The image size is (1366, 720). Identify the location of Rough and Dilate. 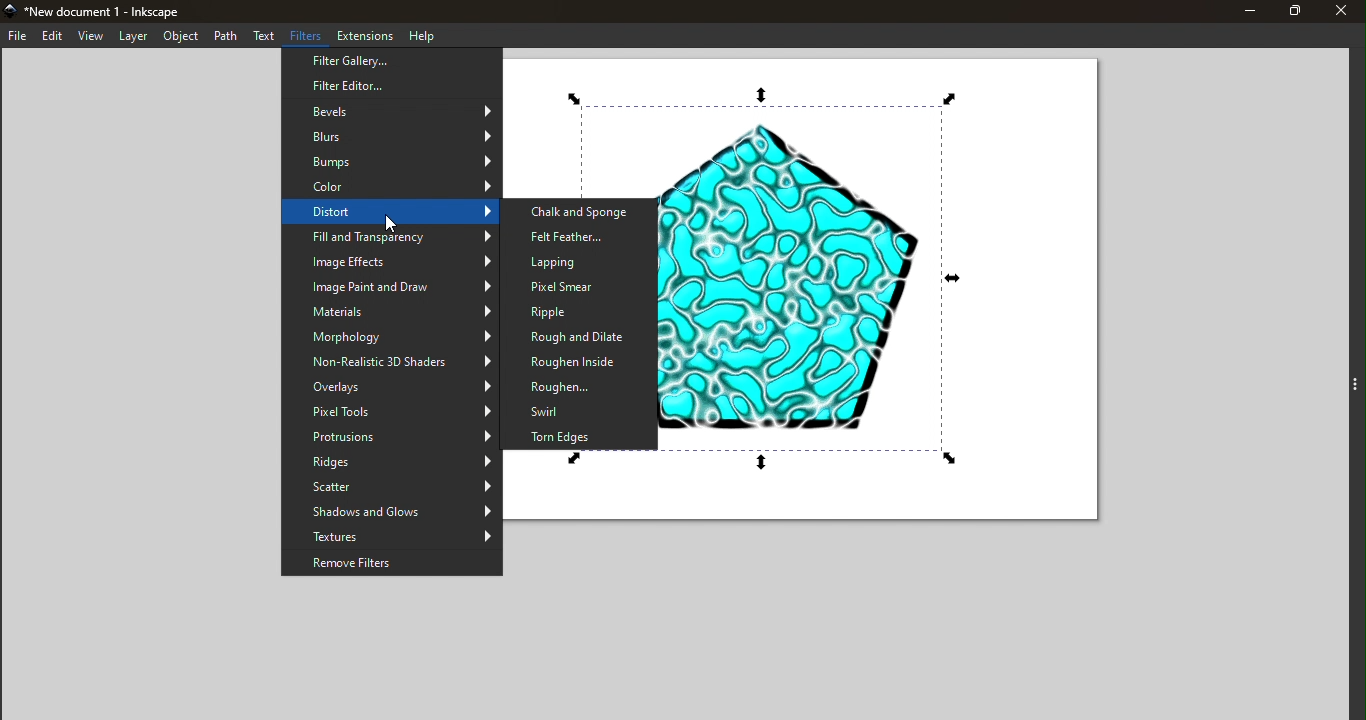
(580, 337).